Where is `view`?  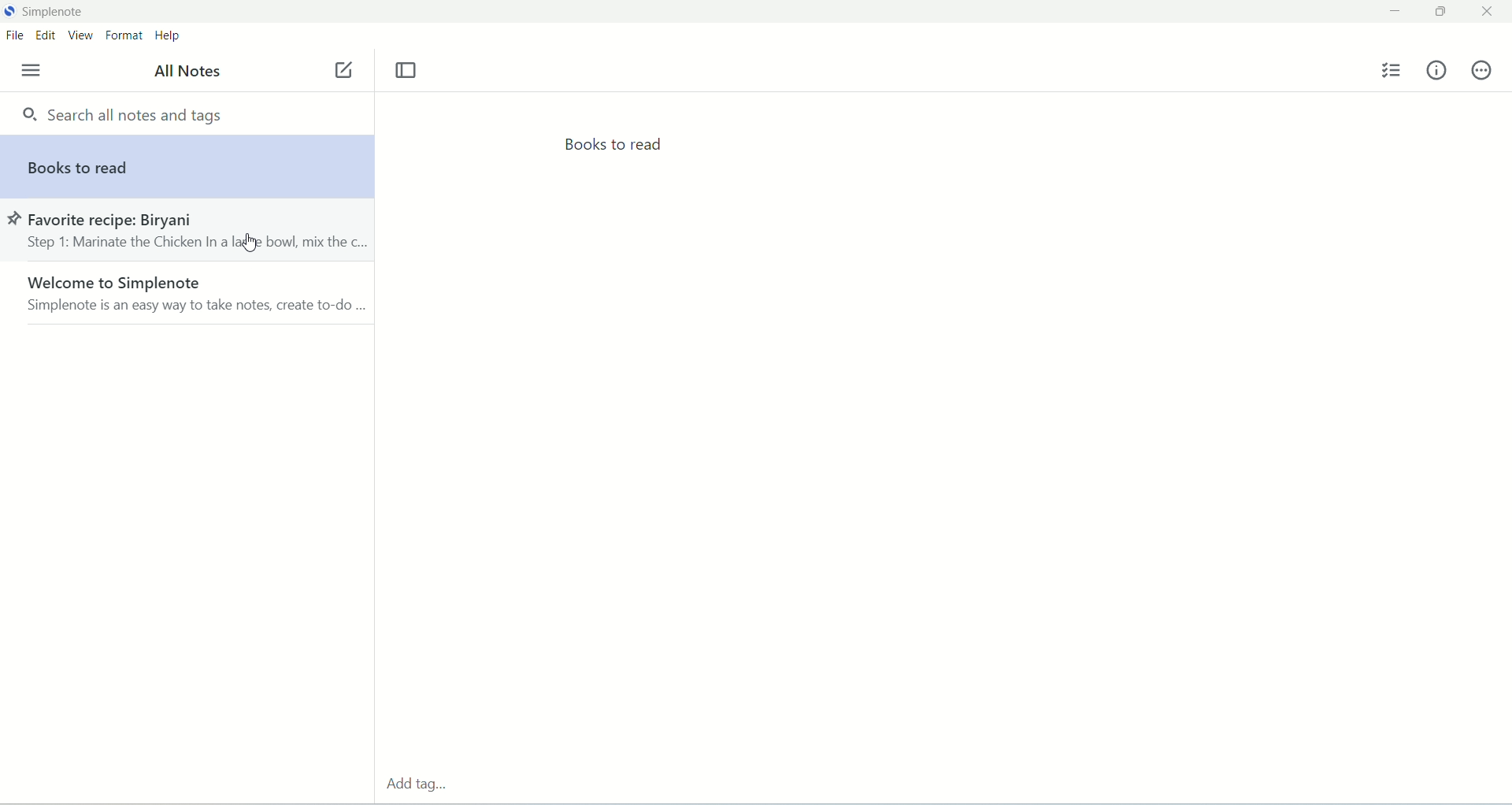
view is located at coordinates (80, 35).